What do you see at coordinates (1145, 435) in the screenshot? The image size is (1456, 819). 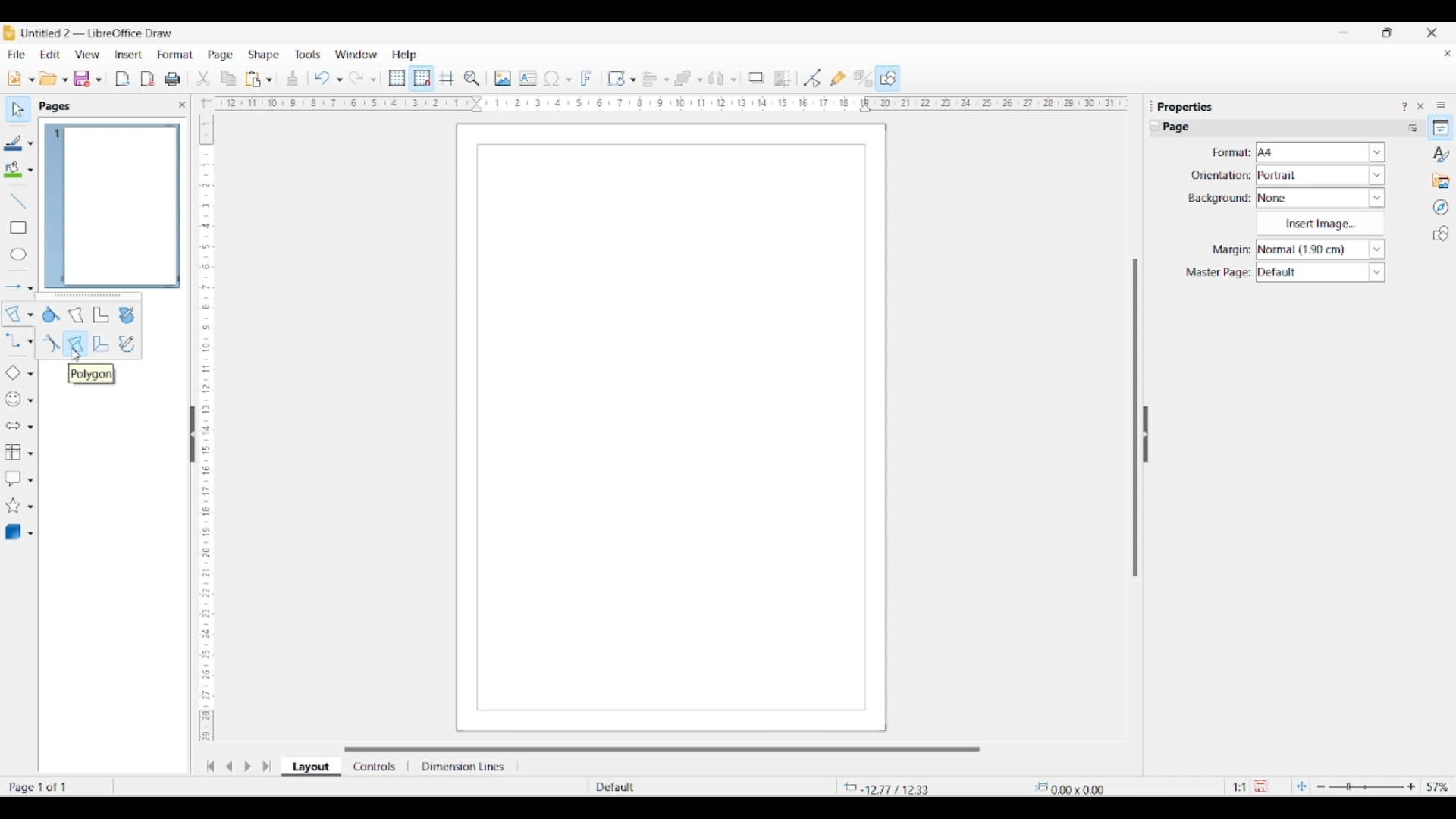 I see `Hide right sidebar` at bounding box center [1145, 435].